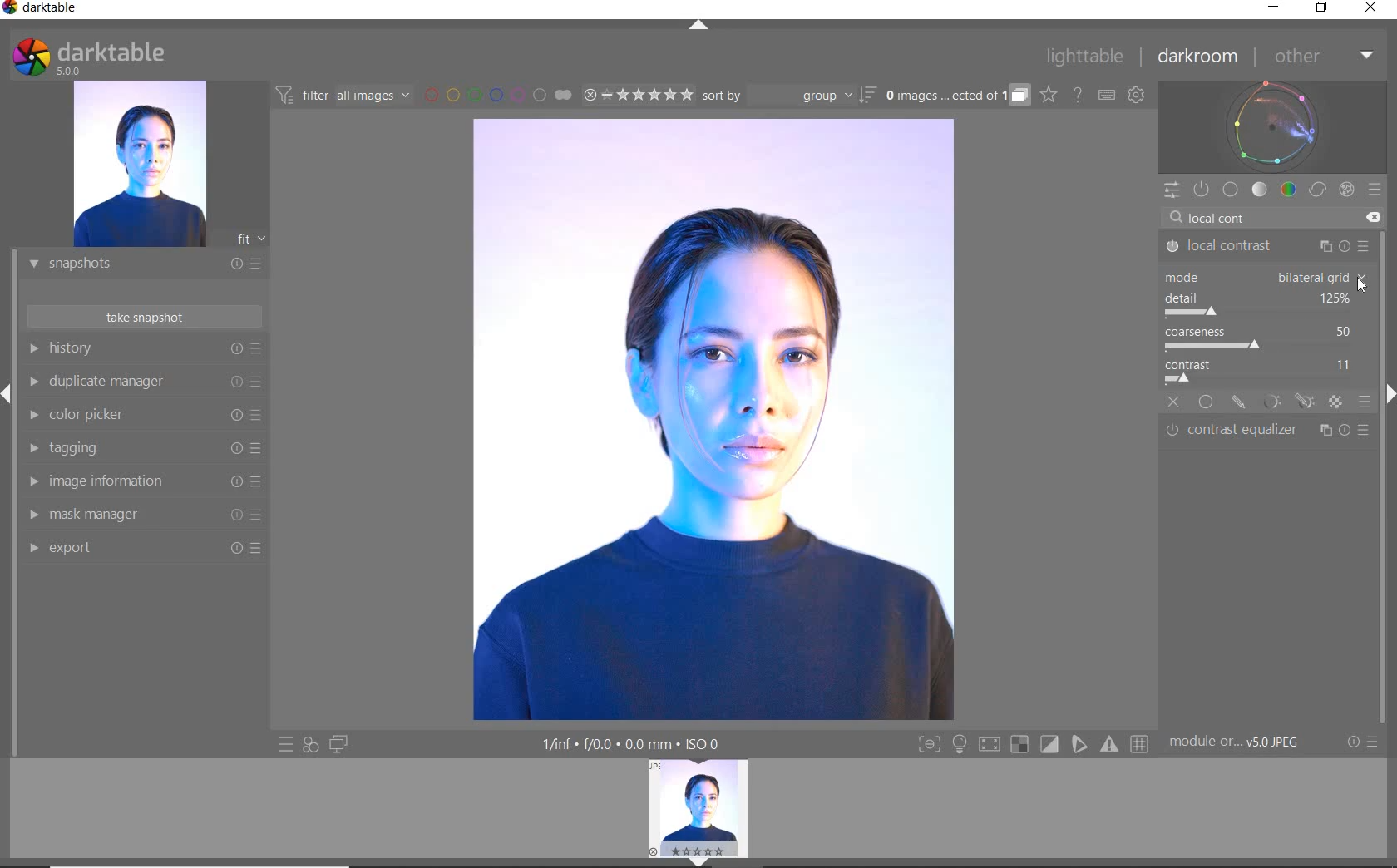  What do you see at coordinates (1141, 745) in the screenshot?
I see `Button` at bounding box center [1141, 745].